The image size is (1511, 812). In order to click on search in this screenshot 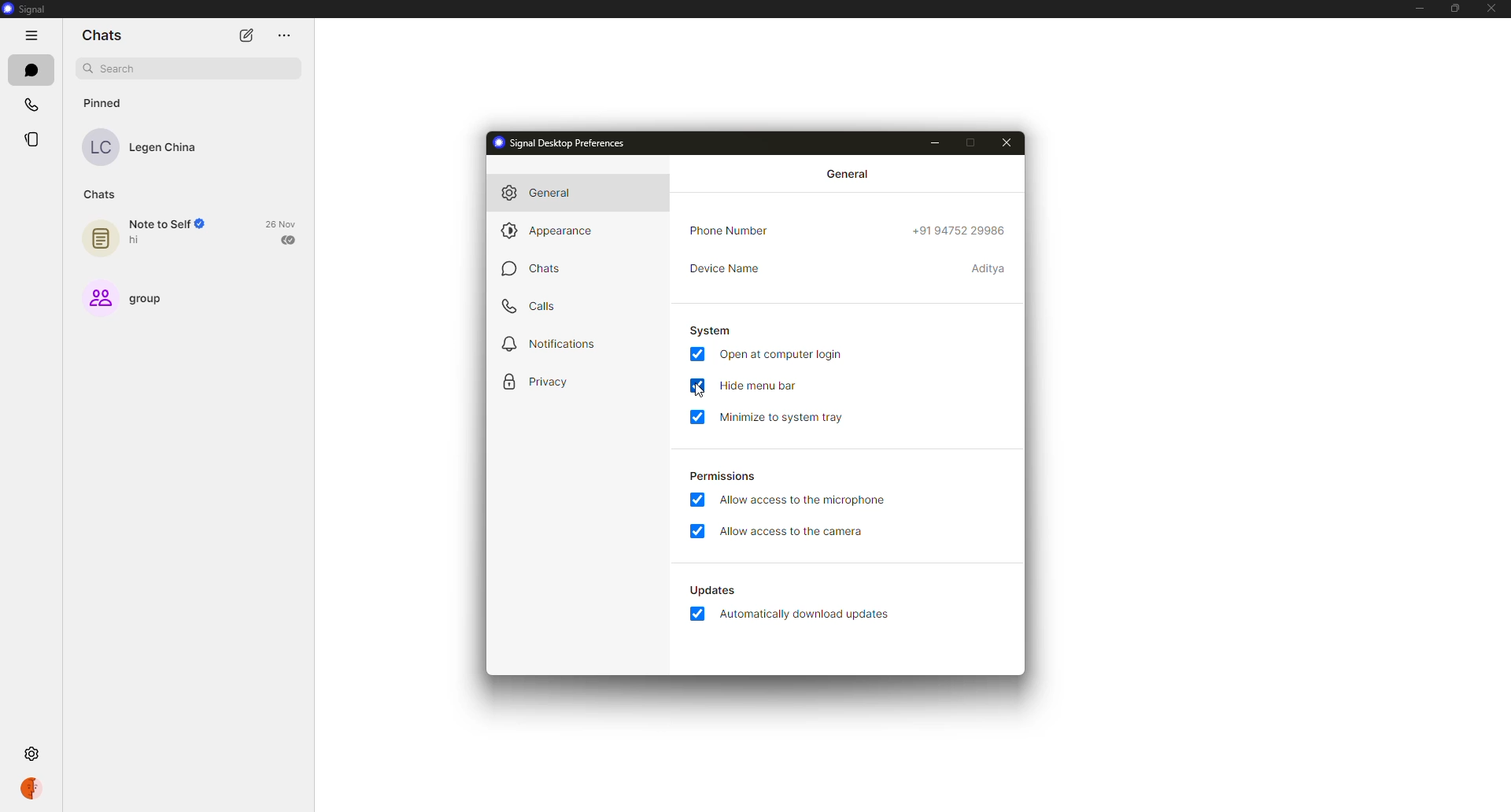, I will do `click(196, 69)`.